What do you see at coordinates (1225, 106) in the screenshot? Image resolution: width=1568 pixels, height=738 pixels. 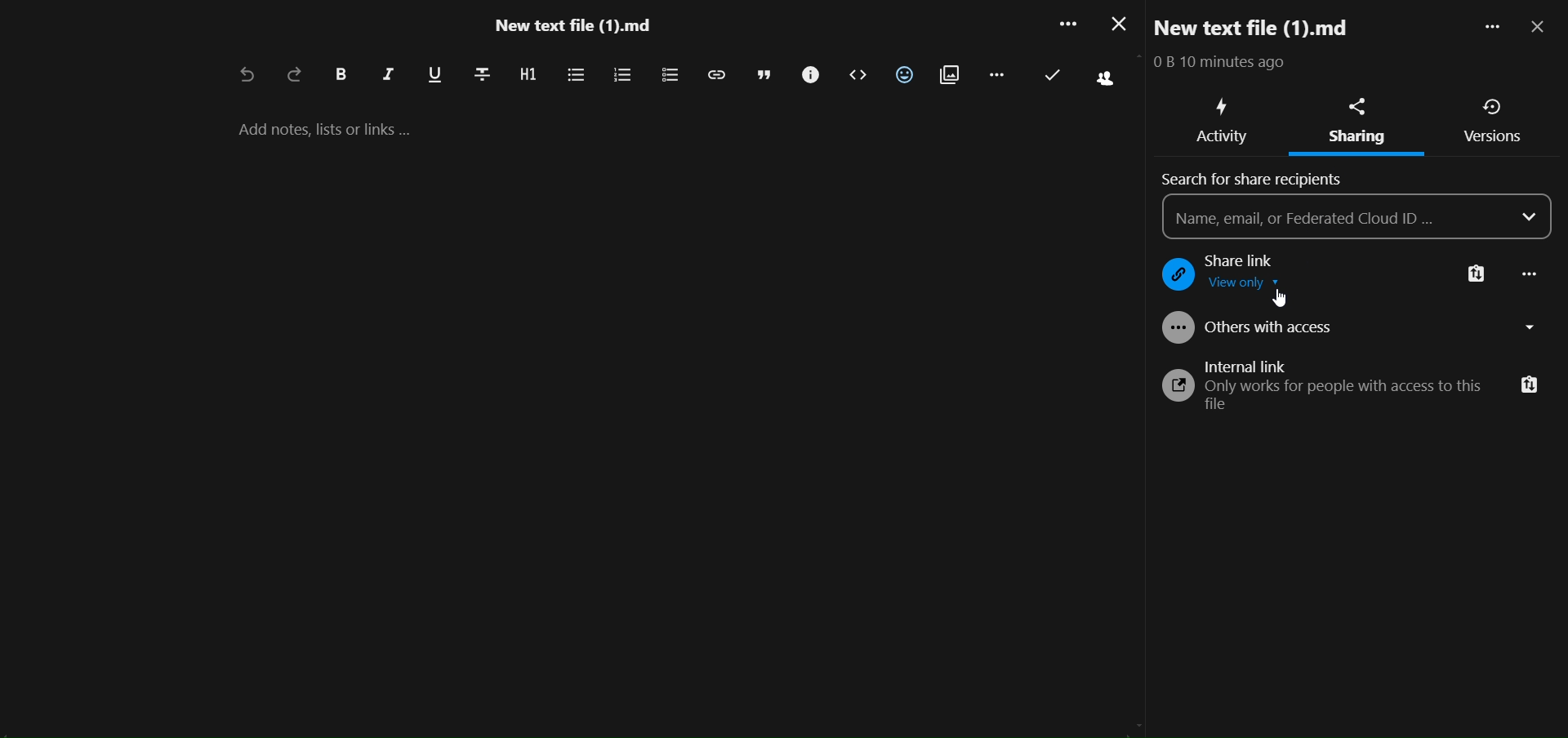 I see `activity icon` at bounding box center [1225, 106].